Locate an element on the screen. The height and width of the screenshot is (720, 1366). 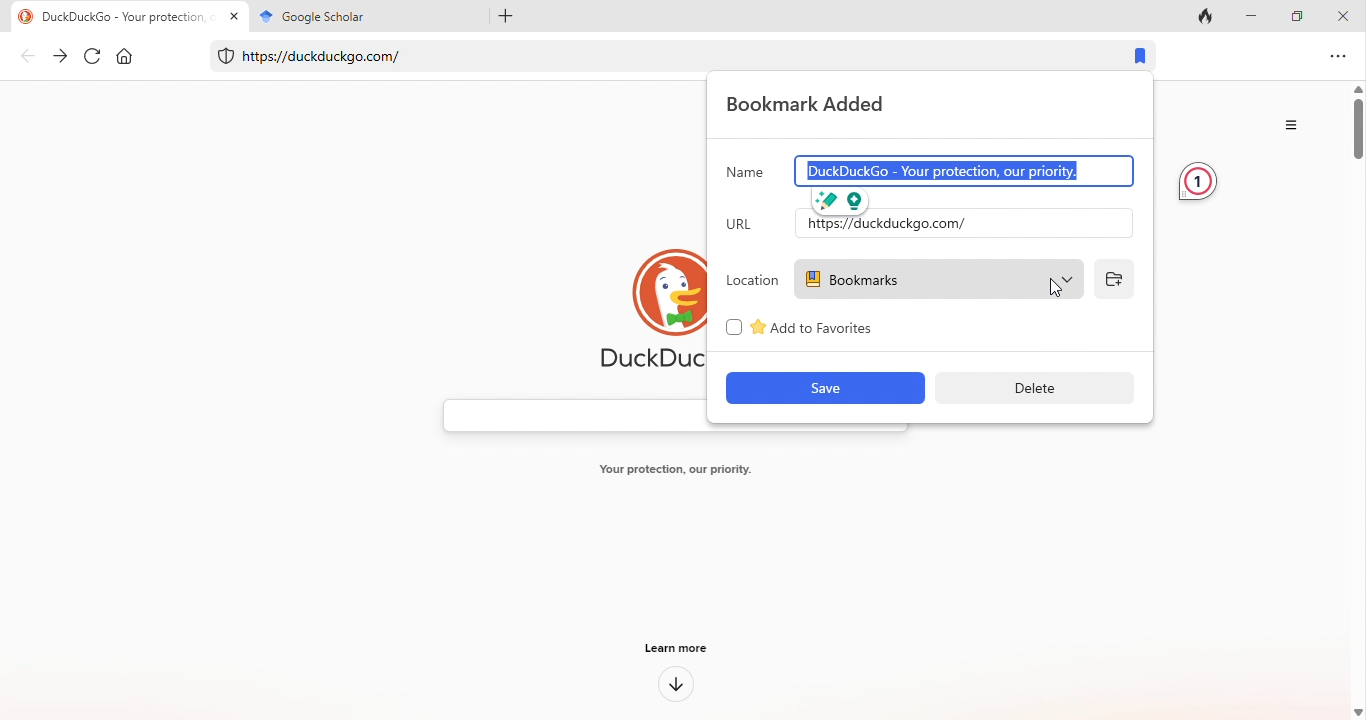
add folder is located at coordinates (1113, 279).